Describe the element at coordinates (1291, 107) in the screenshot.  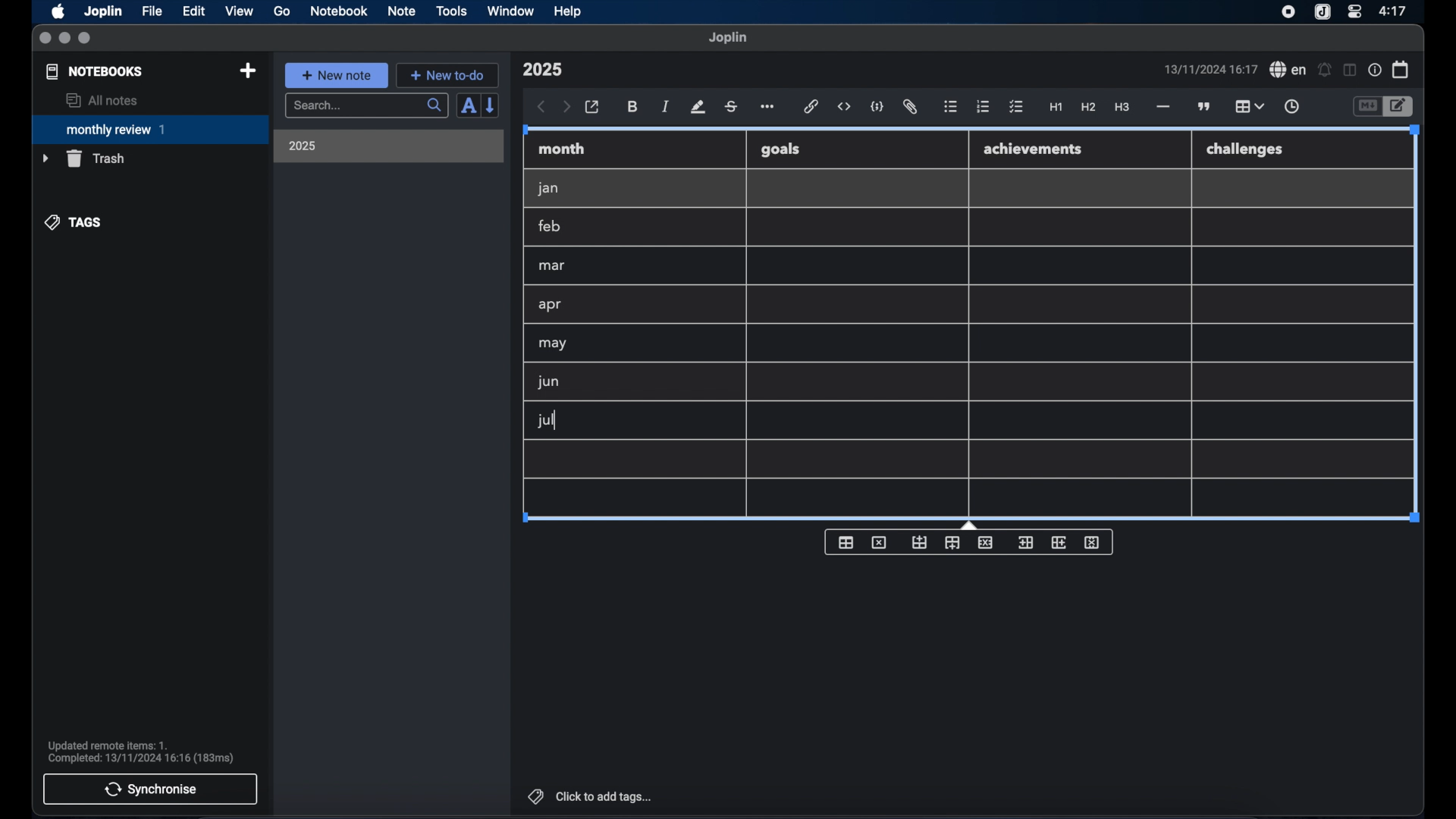
I see `insert time` at that location.